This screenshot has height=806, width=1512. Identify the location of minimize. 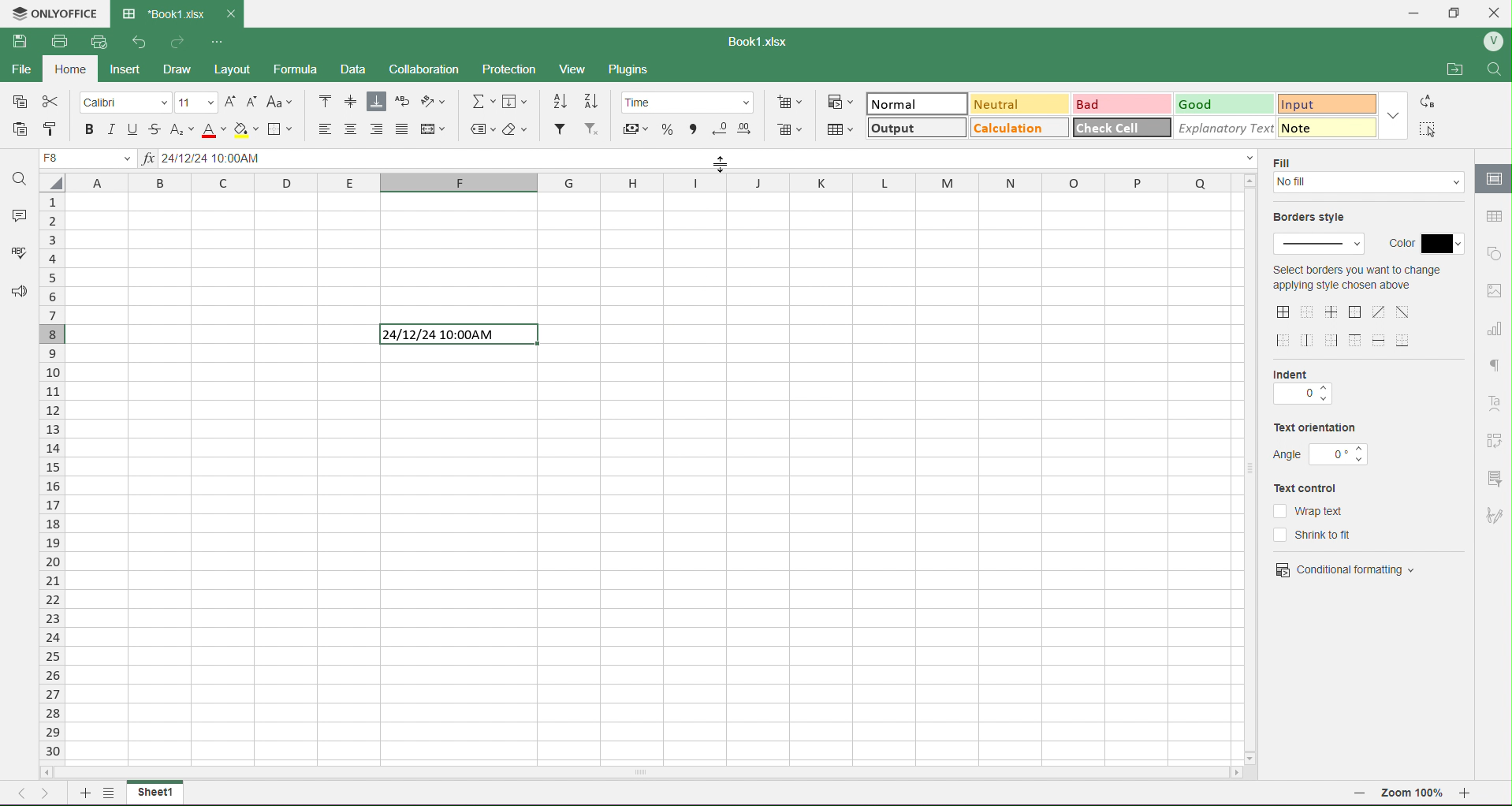
(1414, 13).